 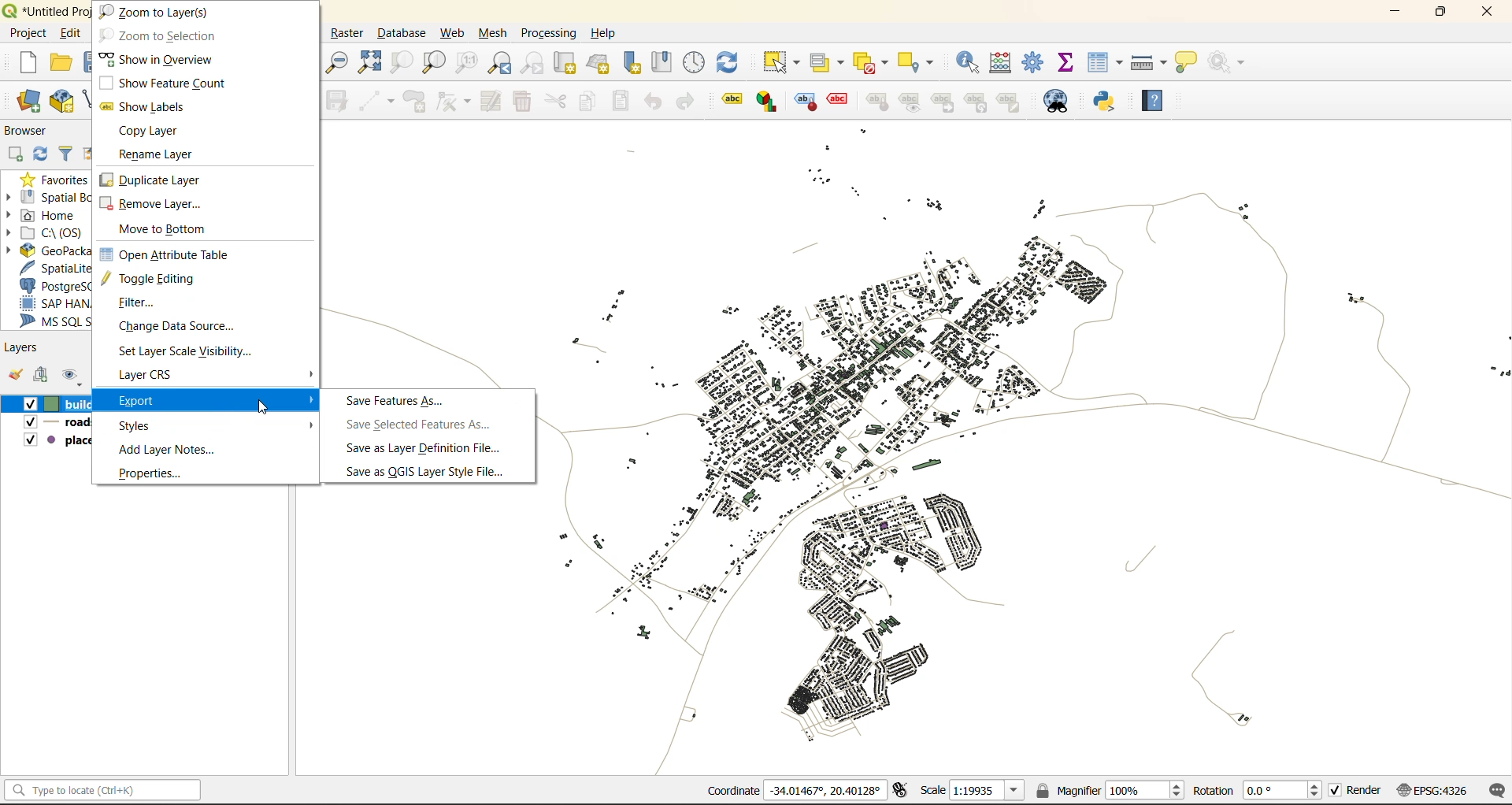 What do you see at coordinates (28, 63) in the screenshot?
I see `new` at bounding box center [28, 63].